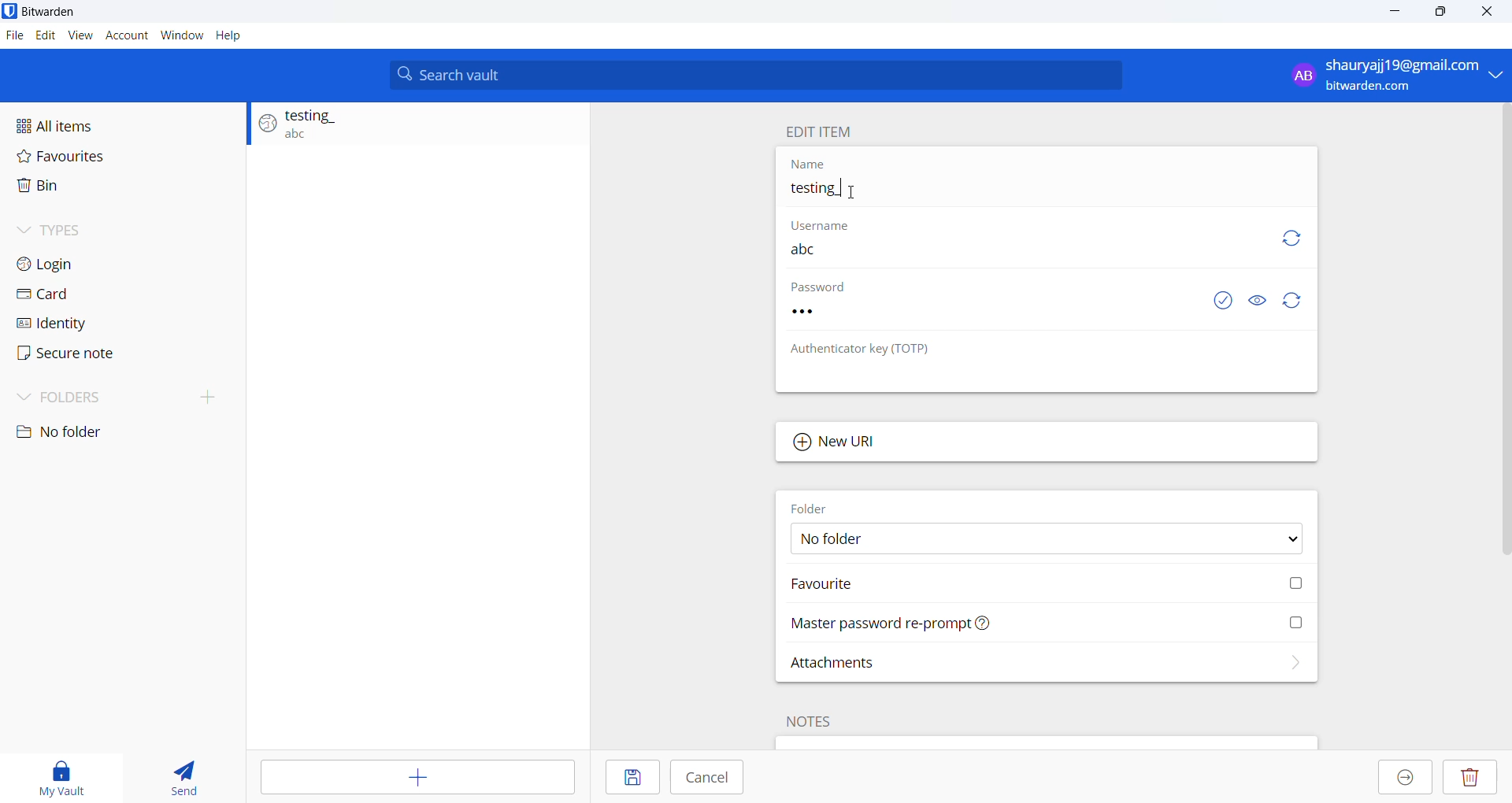 This screenshot has width=1512, height=803. I want to click on Account, so click(125, 34).